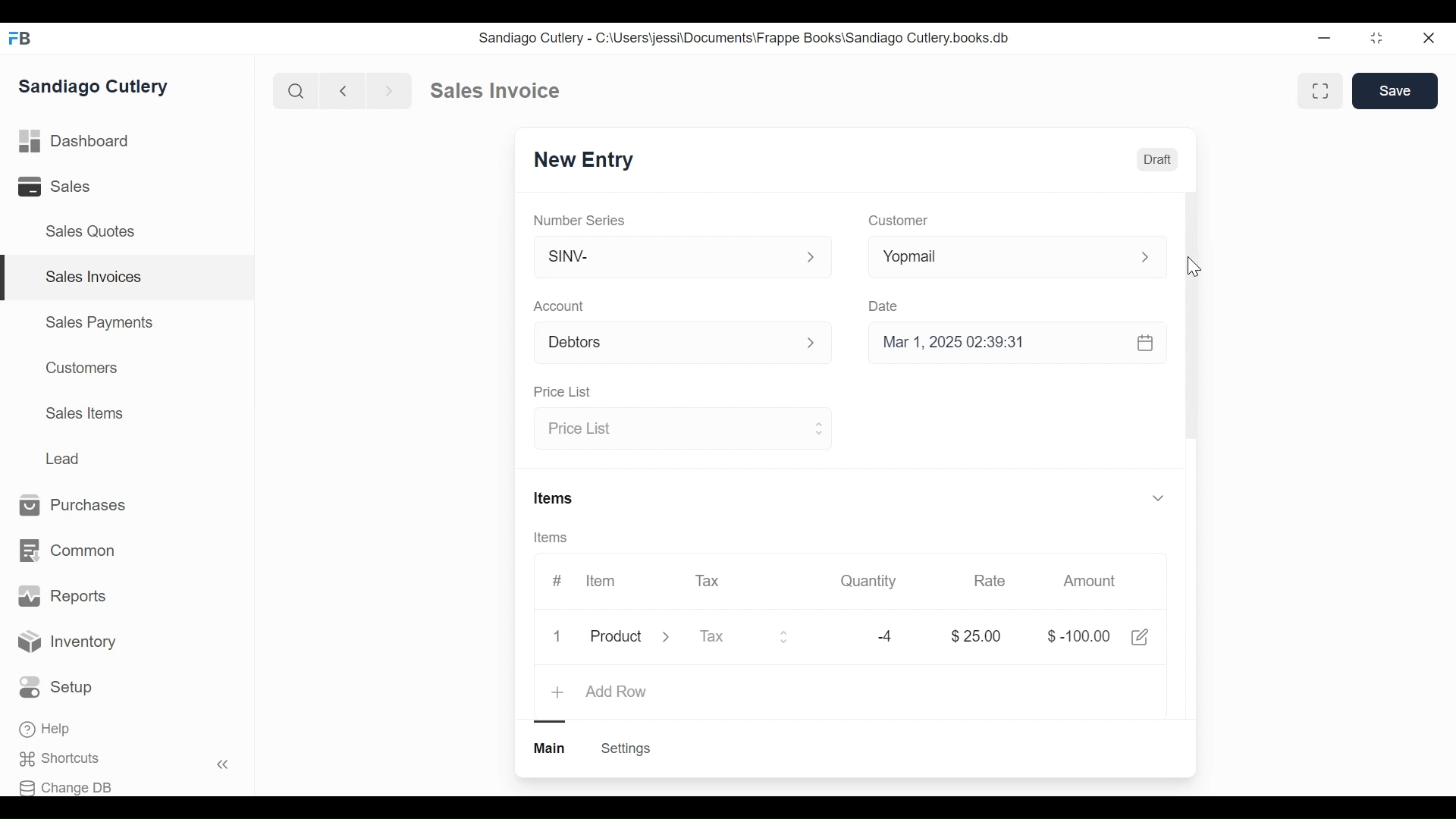 The width and height of the screenshot is (1456, 819). What do you see at coordinates (1377, 39) in the screenshot?
I see `Toggle between form and full width` at bounding box center [1377, 39].